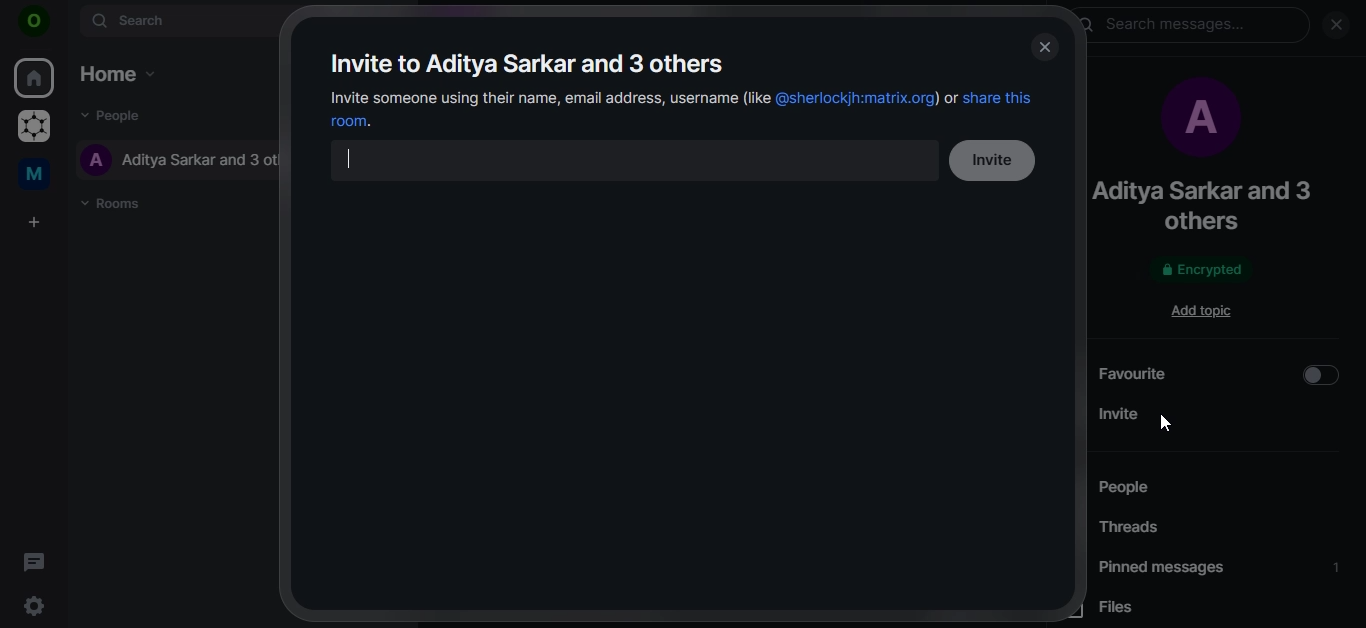 The image size is (1366, 628). What do you see at coordinates (1152, 488) in the screenshot?
I see `people` at bounding box center [1152, 488].